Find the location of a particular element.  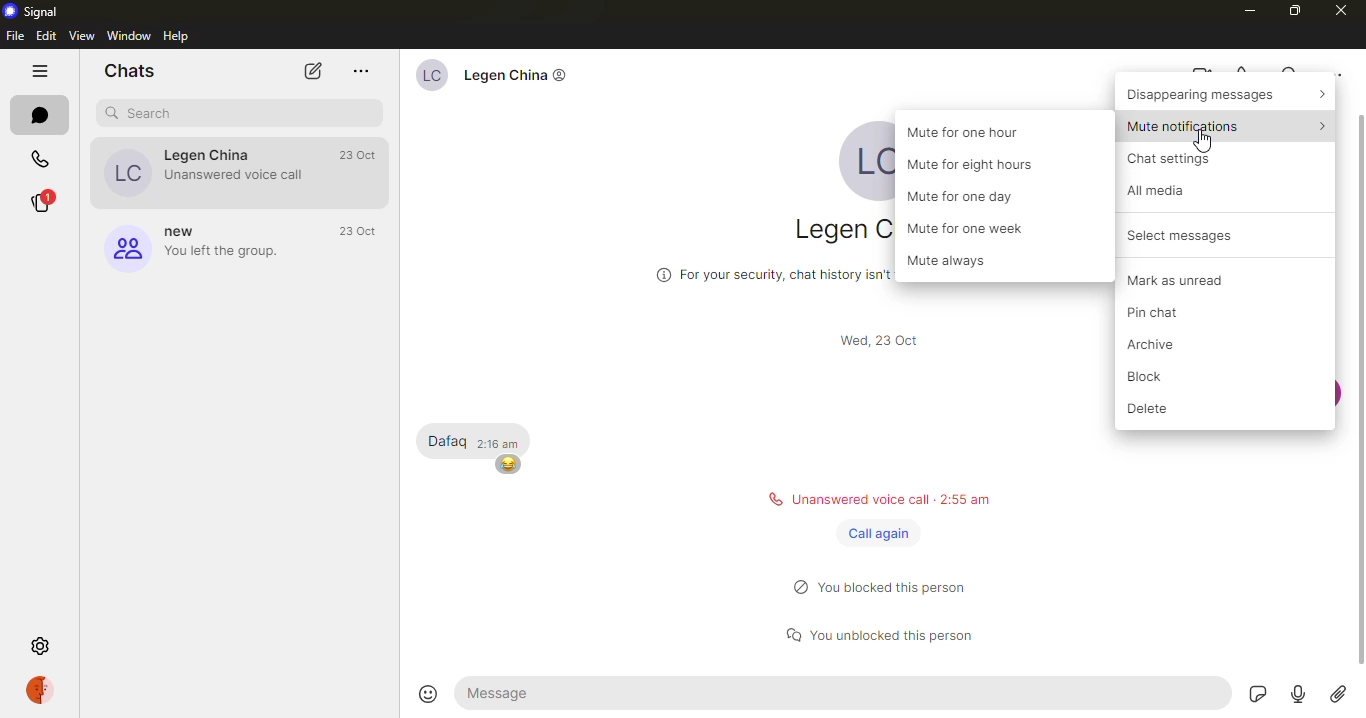

info is located at coordinates (766, 272).